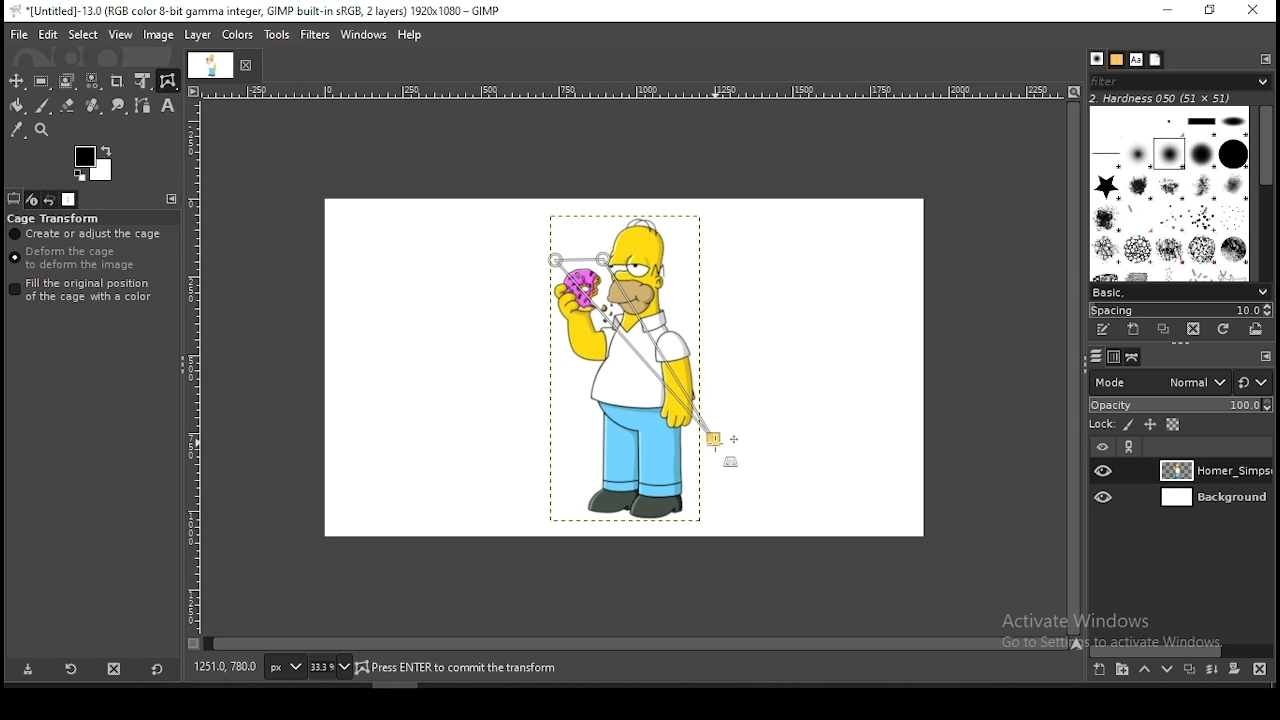  I want to click on filter brushes, so click(1181, 83).